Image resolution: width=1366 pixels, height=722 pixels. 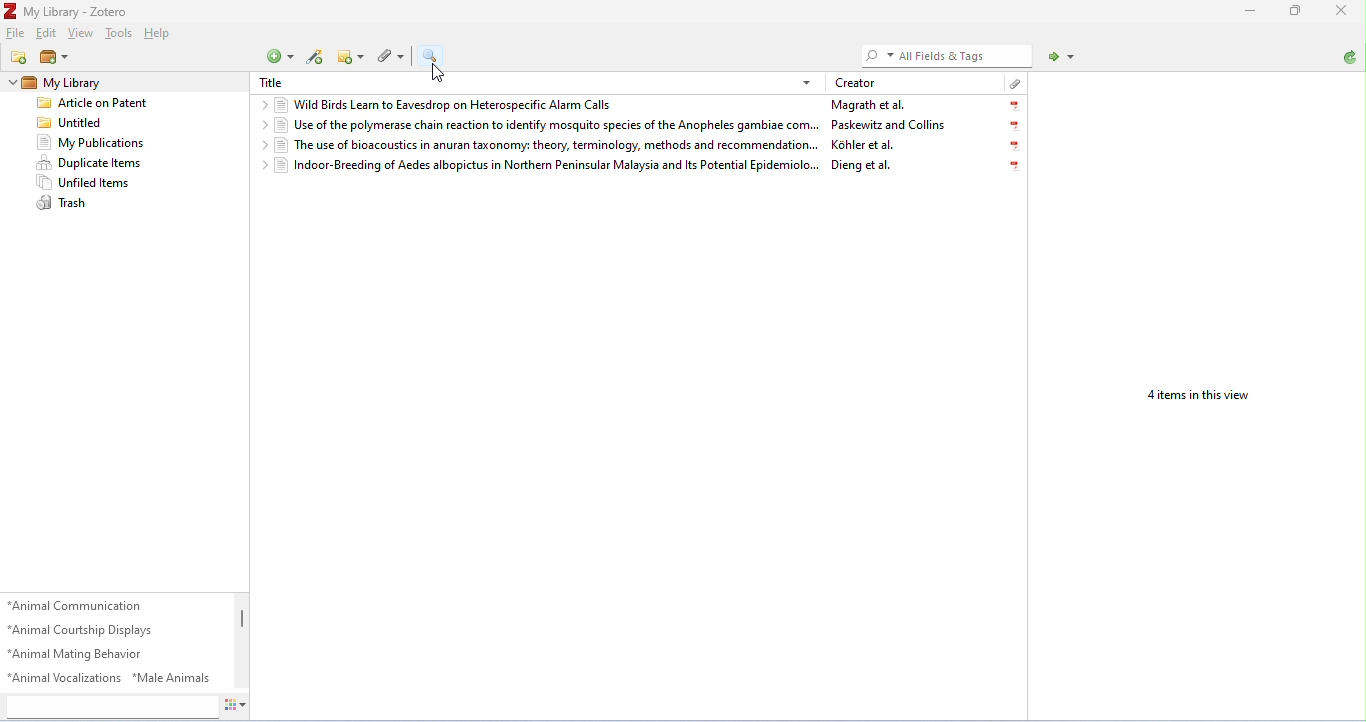 I want to click on drop-down, so click(x=262, y=104).